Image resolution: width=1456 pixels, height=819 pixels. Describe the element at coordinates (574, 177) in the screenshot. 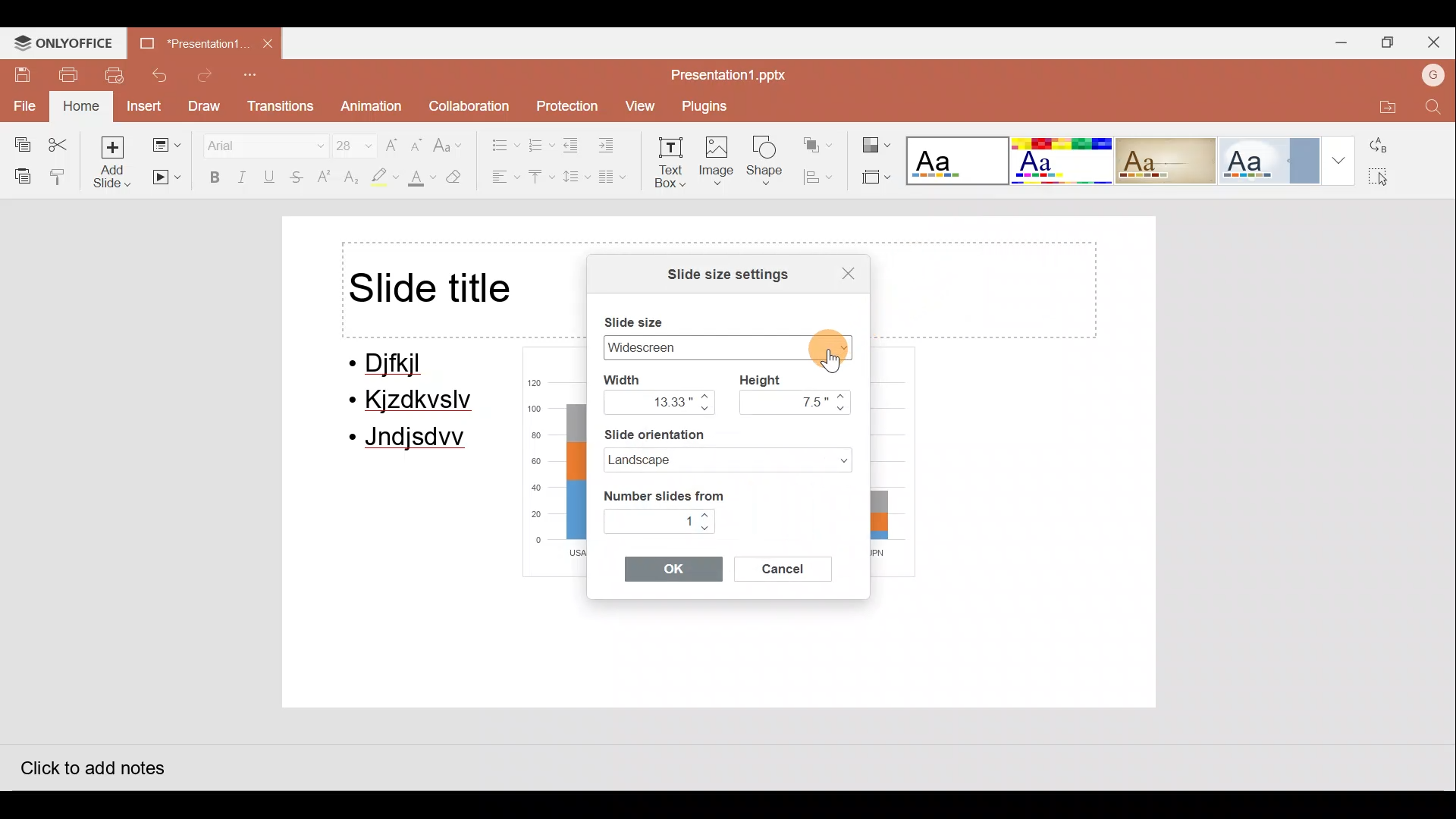

I see `Line spacing` at that location.